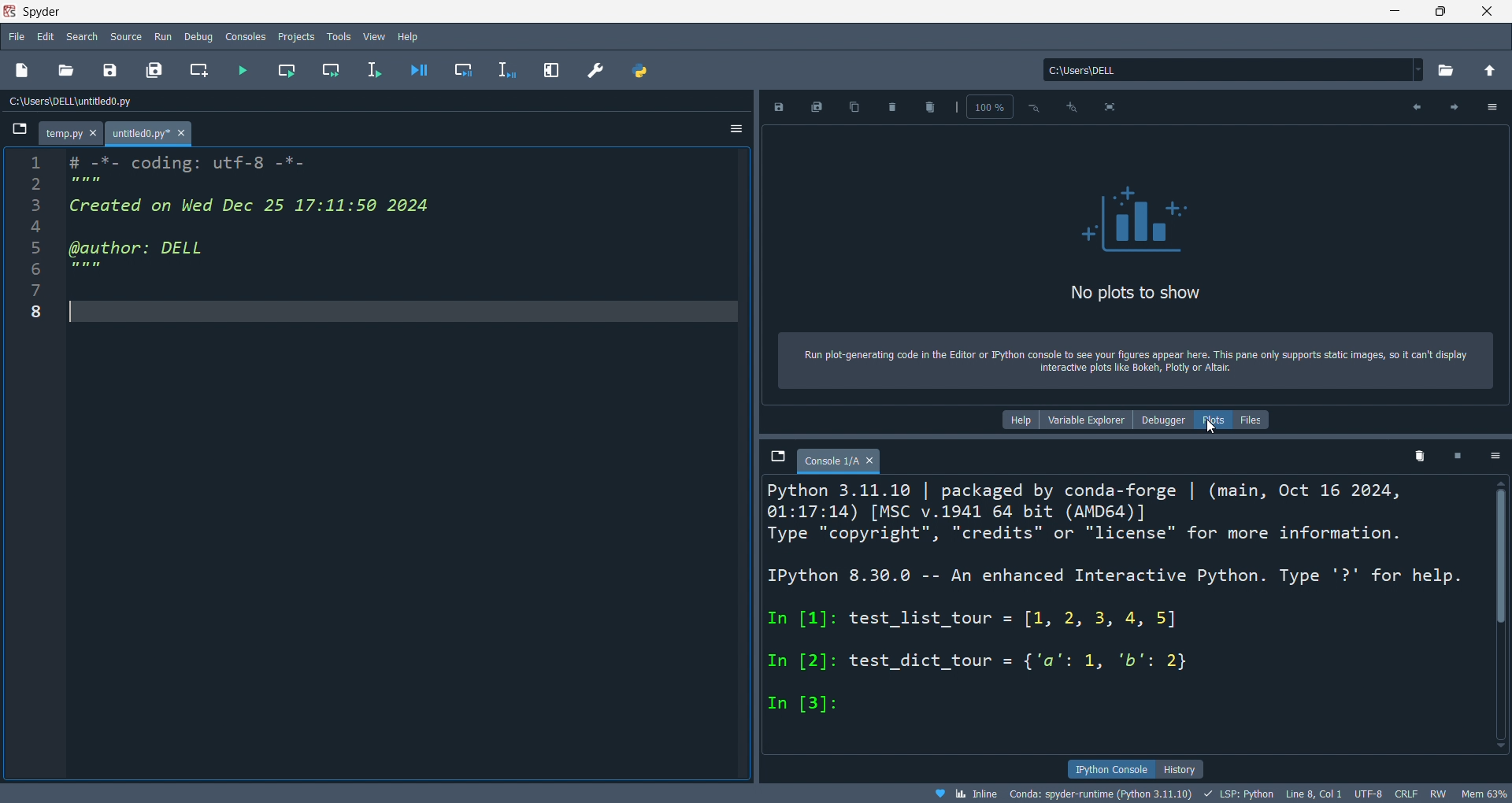 This screenshot has height=803, width=1512. Describe the element at coordinates (150, 134) in the screenshot. I see `tab ` at that location.